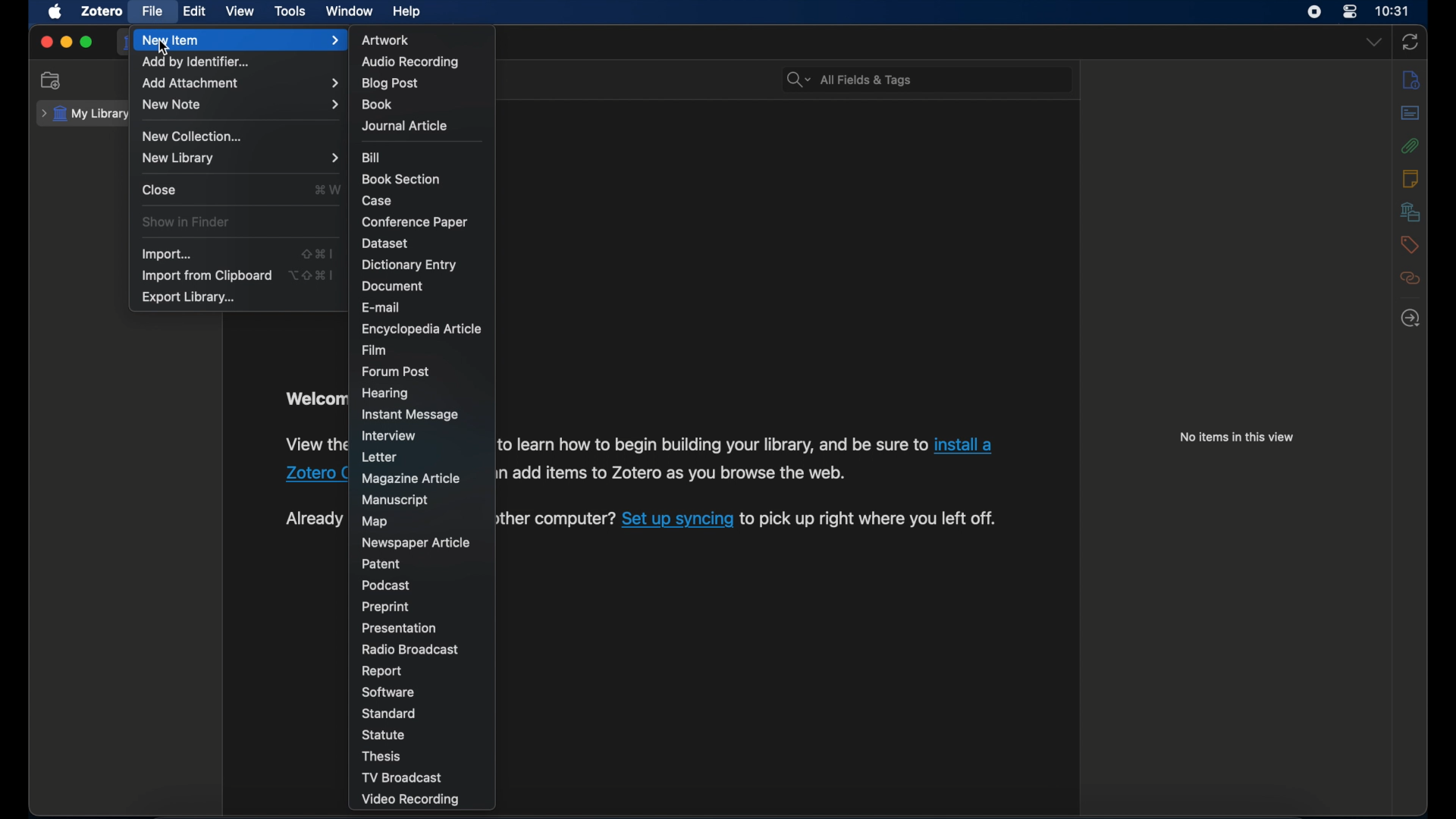  What do you see at coordinates (56, 11) in the screenshot?
I see `apple` at bounding box center [56, 11].